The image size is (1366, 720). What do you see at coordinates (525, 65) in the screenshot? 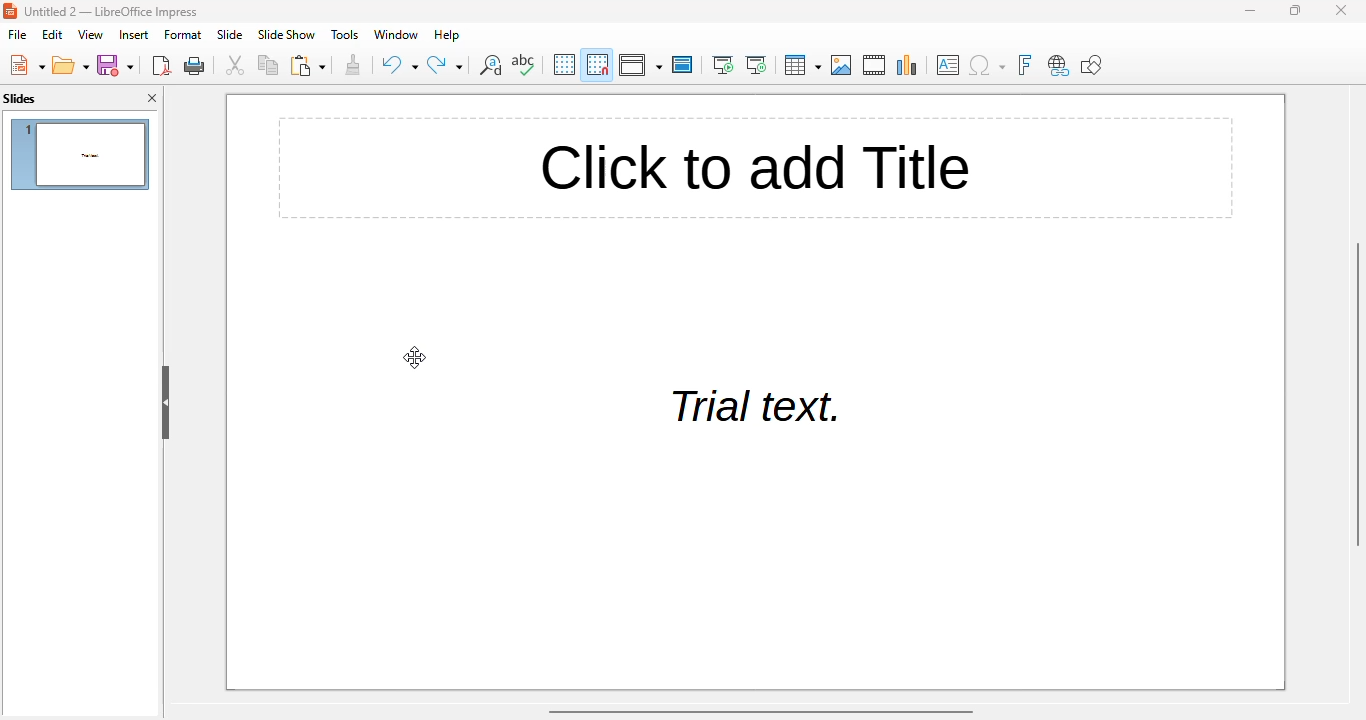
I see `spelling` at bounding box center [525, 65].